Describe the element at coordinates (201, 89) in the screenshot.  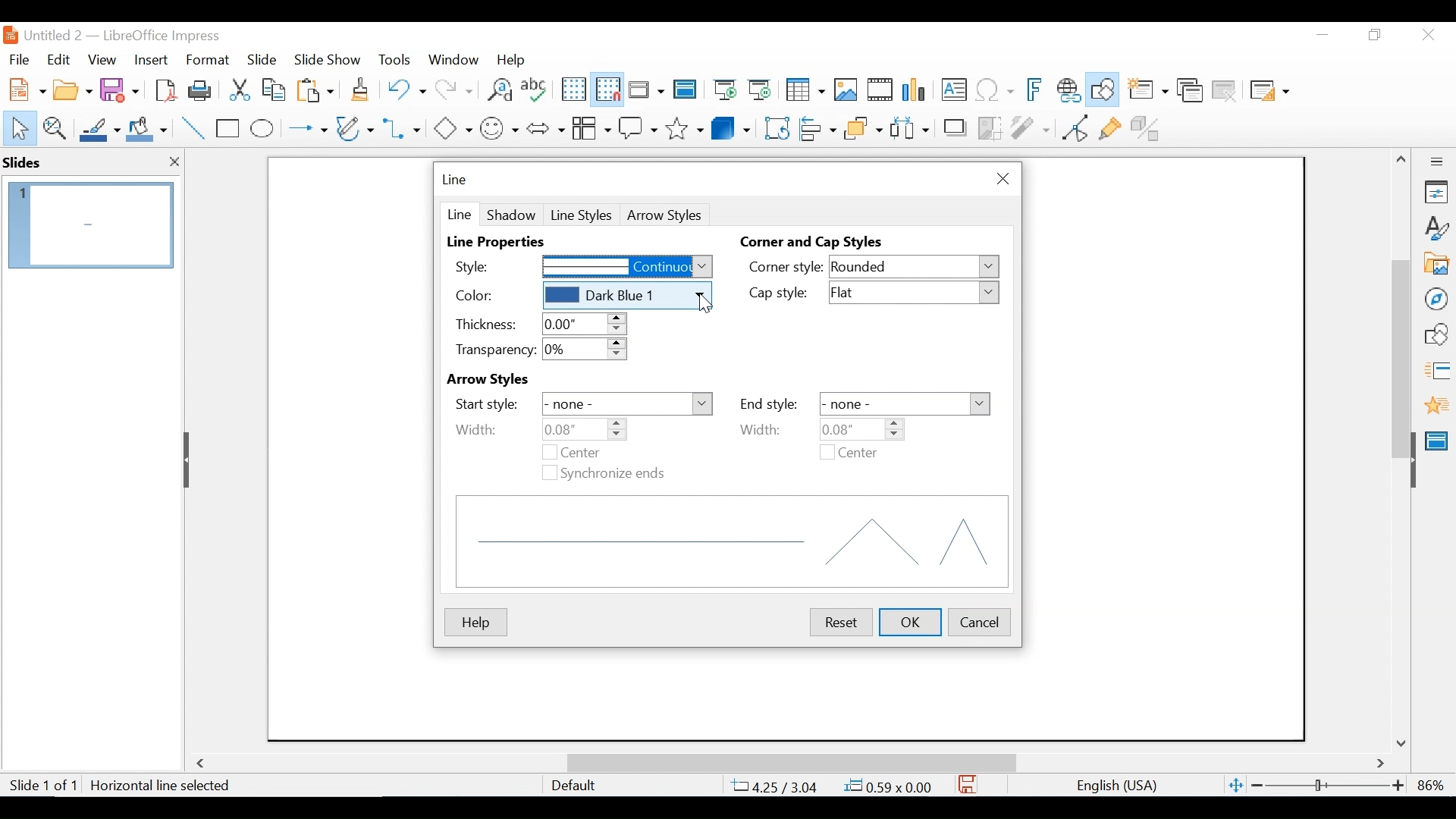
I see `Print` at that location.